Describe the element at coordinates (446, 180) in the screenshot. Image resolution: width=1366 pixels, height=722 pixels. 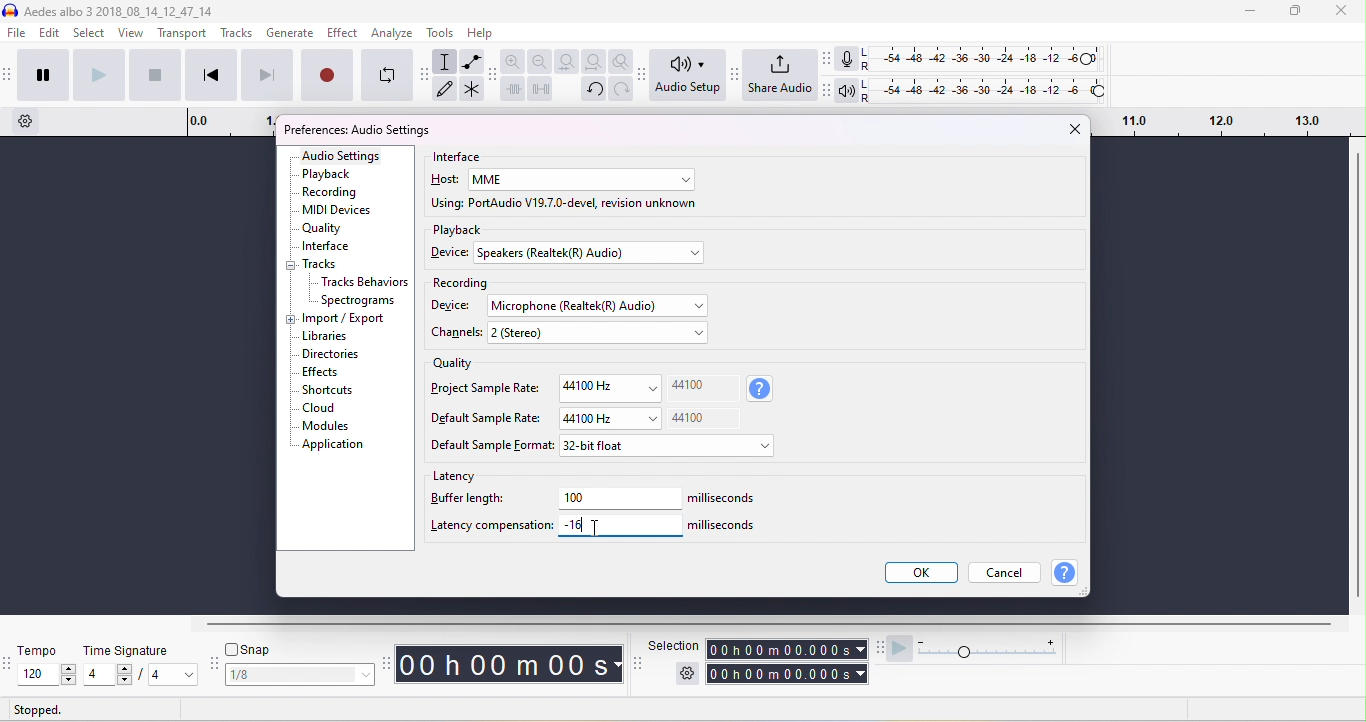
I see `host` at that location.